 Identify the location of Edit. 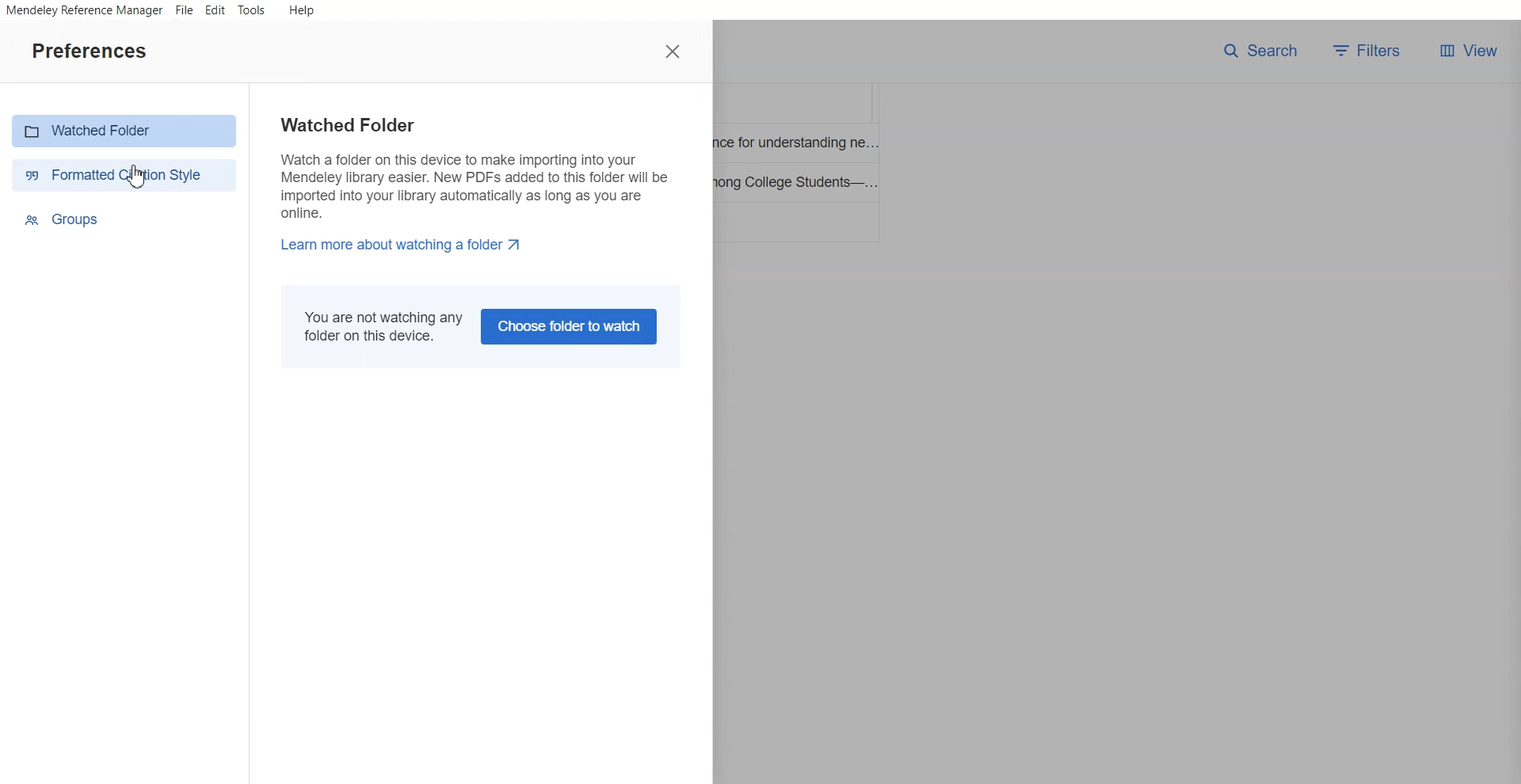
(215, 11).